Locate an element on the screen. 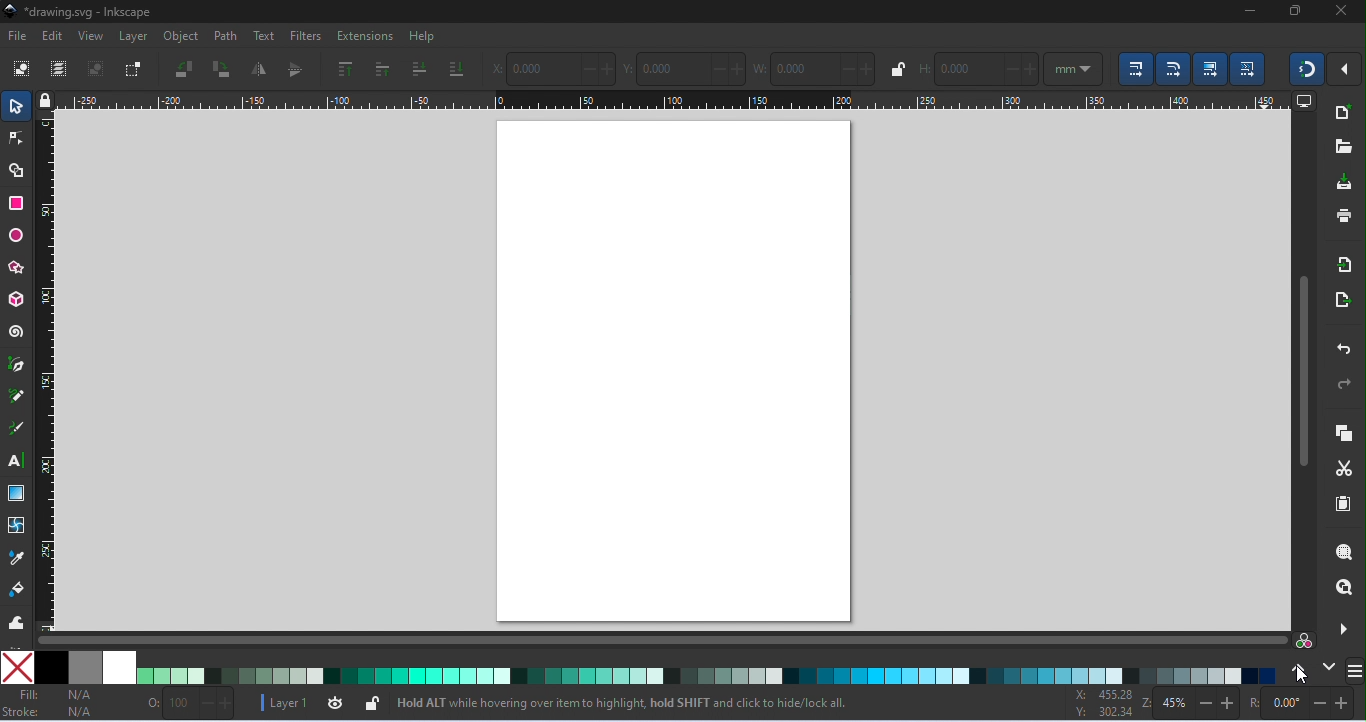 The width and height of the screenshot is (1366, 722). cursor is located at coordinates (1300, 674).